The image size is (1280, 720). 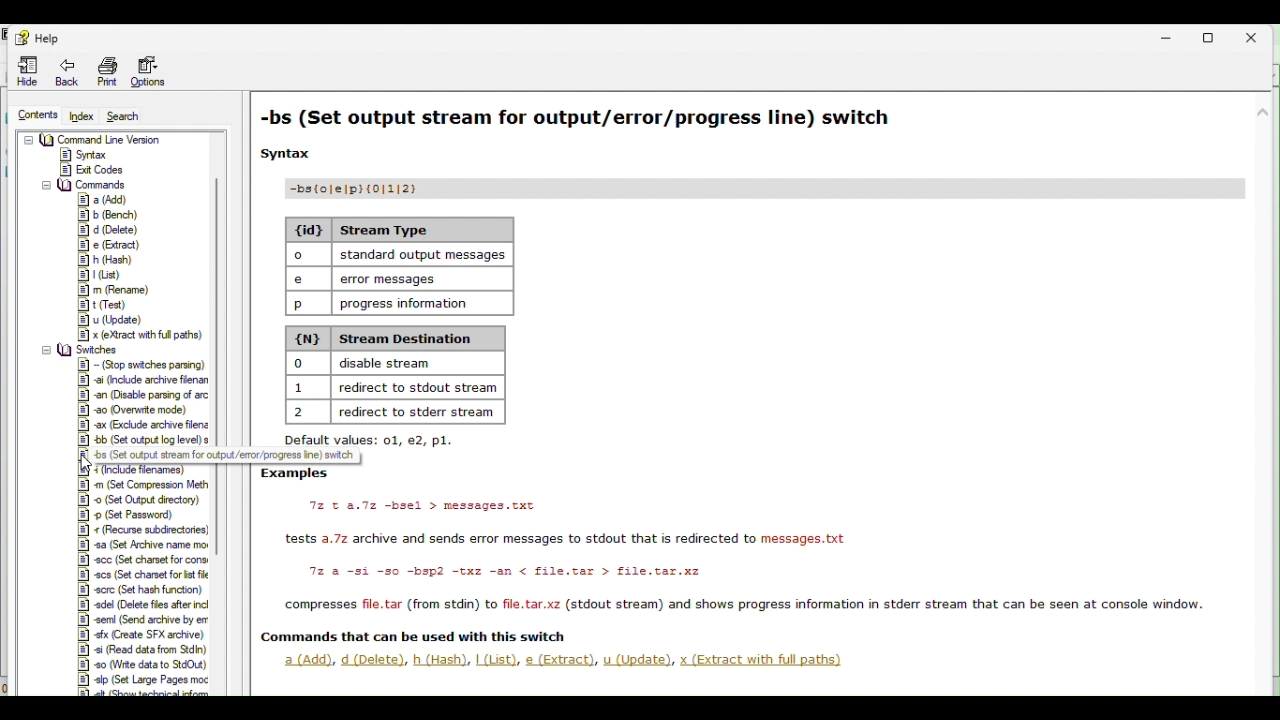 I want to click on Set output stream for output, so click(x=758, y=353).